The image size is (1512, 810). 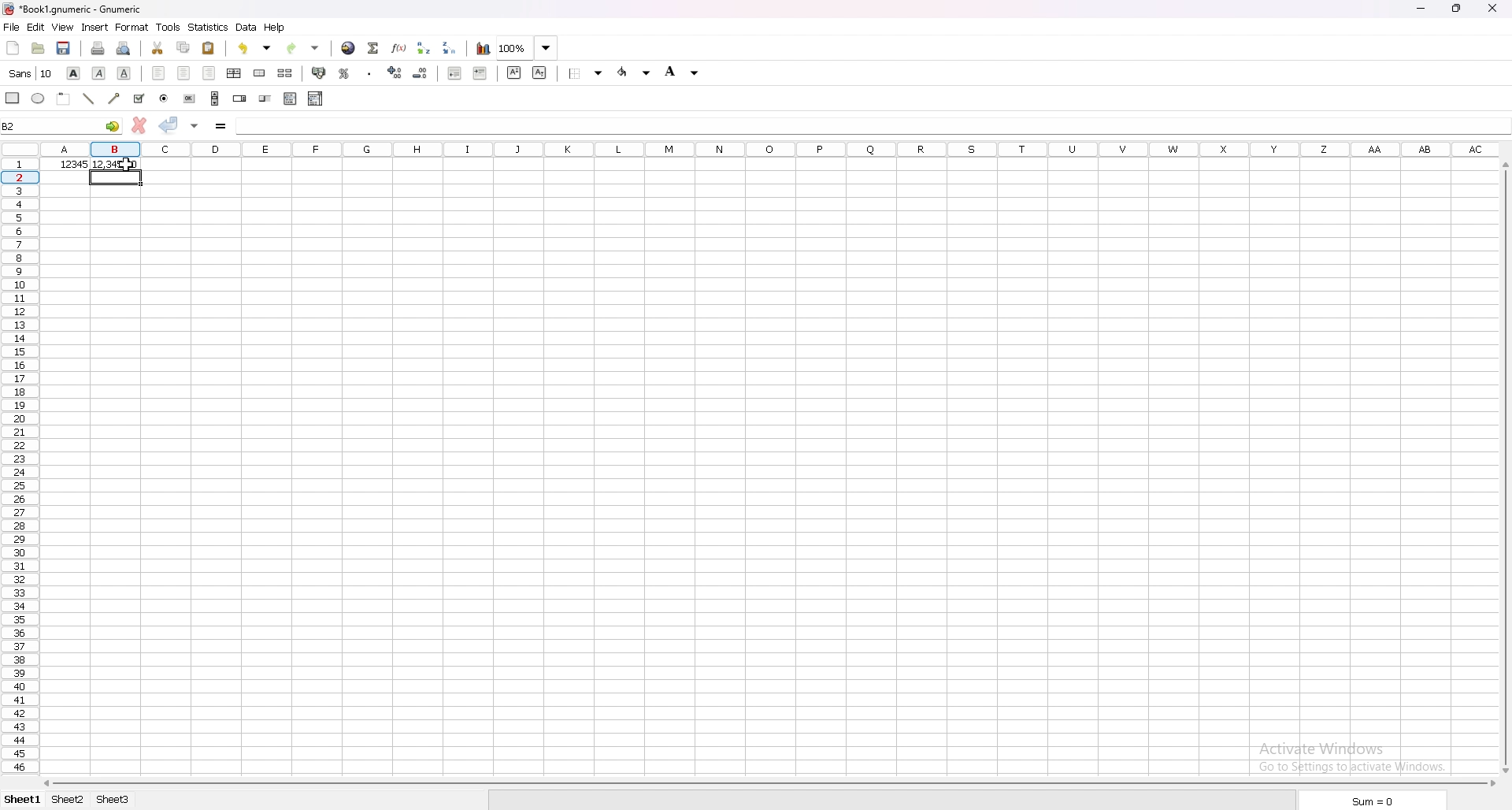 What do you see at coordinates (72, 10) in the screenshot?
I see `file name` at bounding box center [72, 10].